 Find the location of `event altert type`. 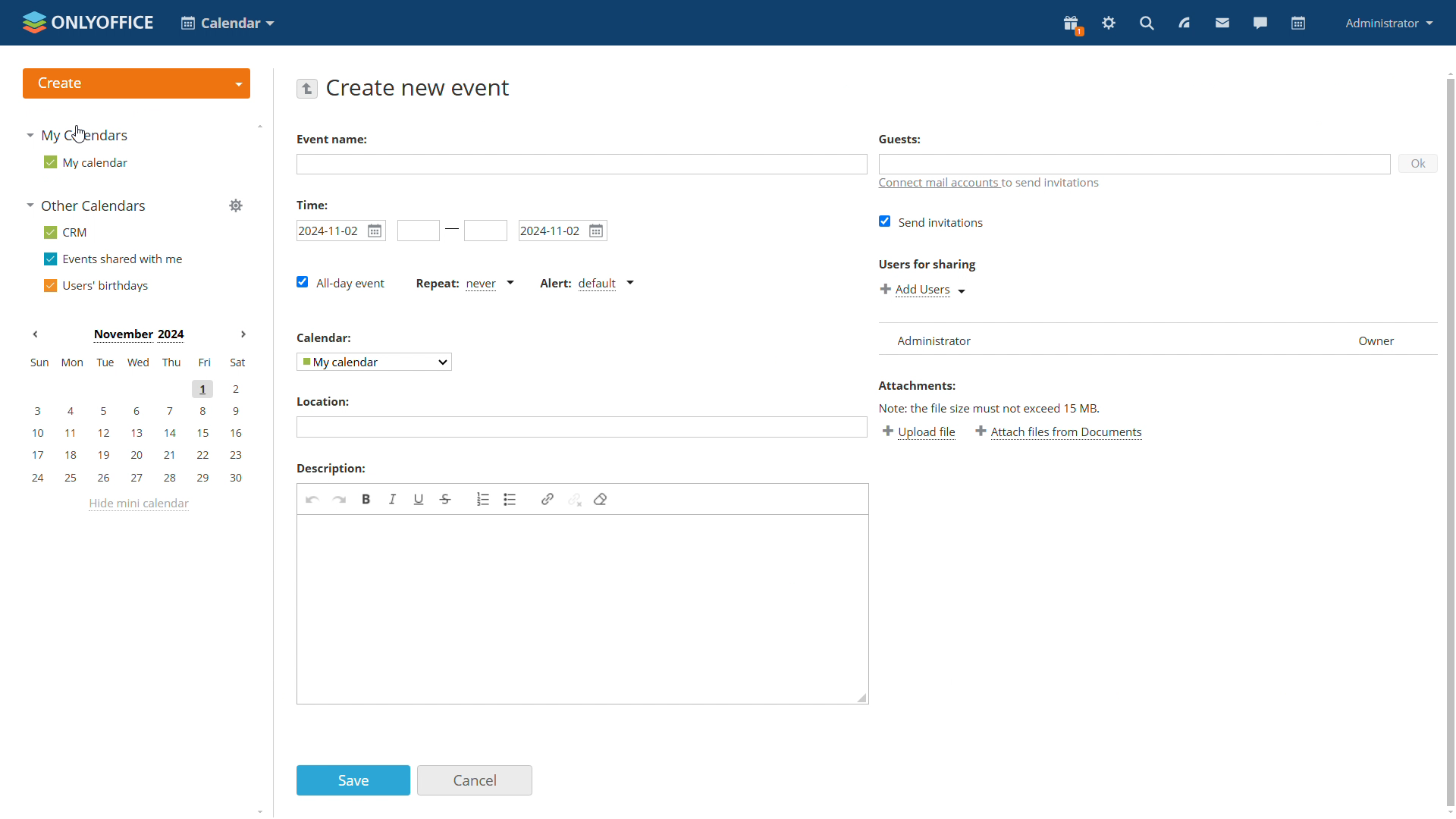

event altert type is located at coordinates (585, 285).